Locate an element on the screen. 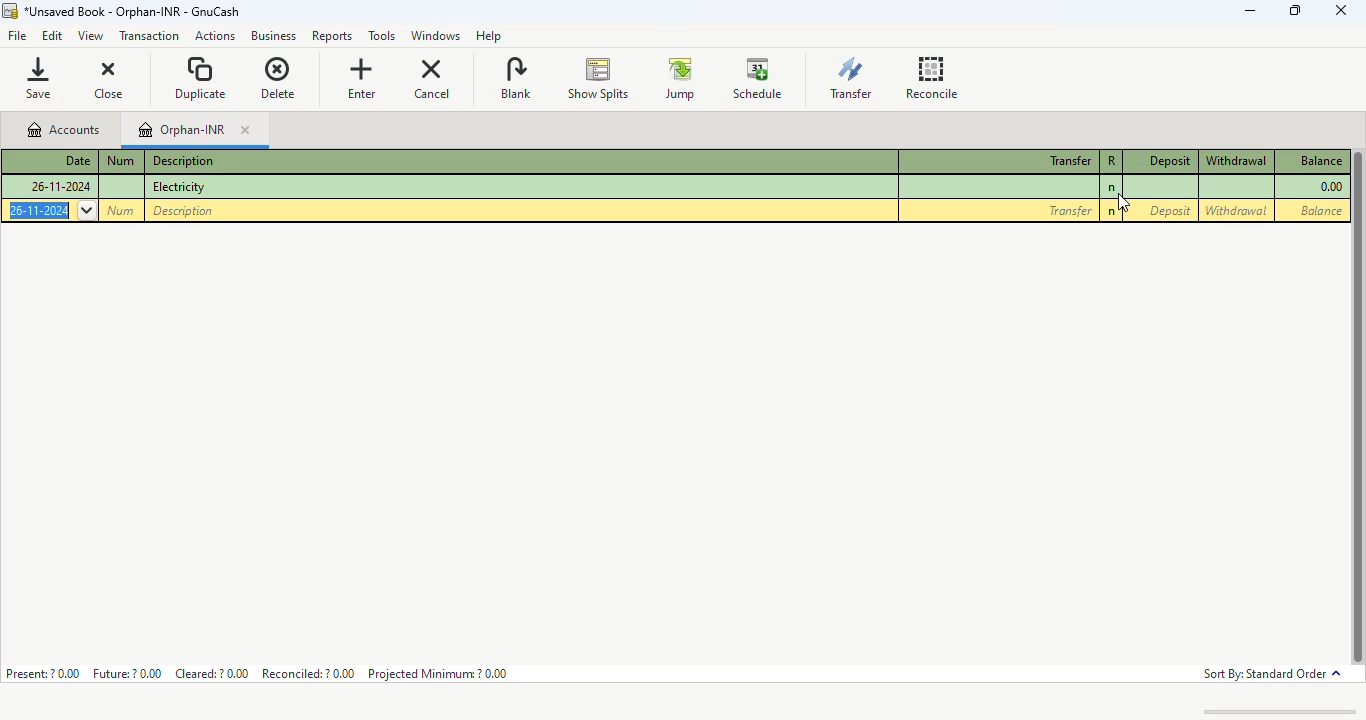 This screenshot has width=1366, height=720. reconciled: ? 0.00 is located at coordinates (308, 673).